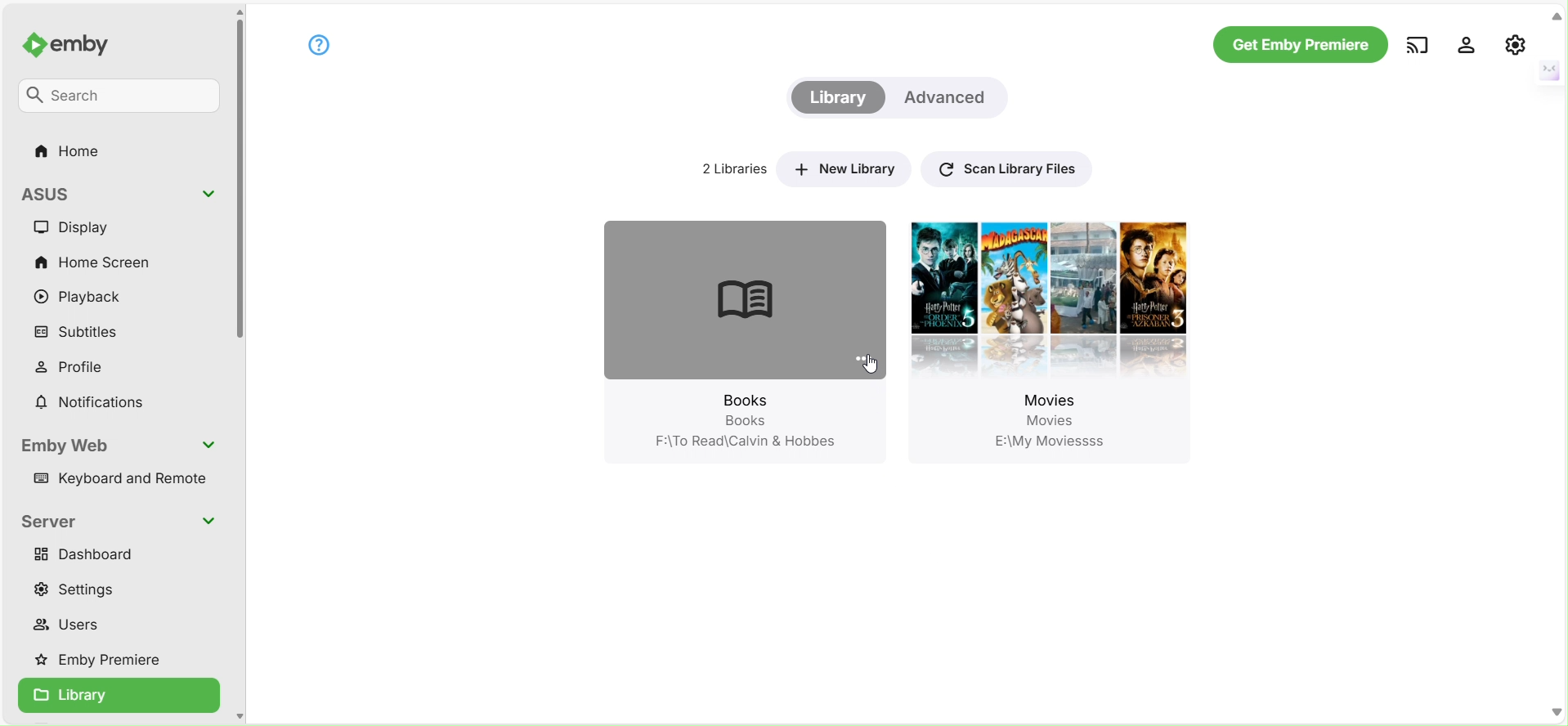  Describe the element at coordinates (1516, 43) in the screenshot. I see `Manage Emby Server` at that location.